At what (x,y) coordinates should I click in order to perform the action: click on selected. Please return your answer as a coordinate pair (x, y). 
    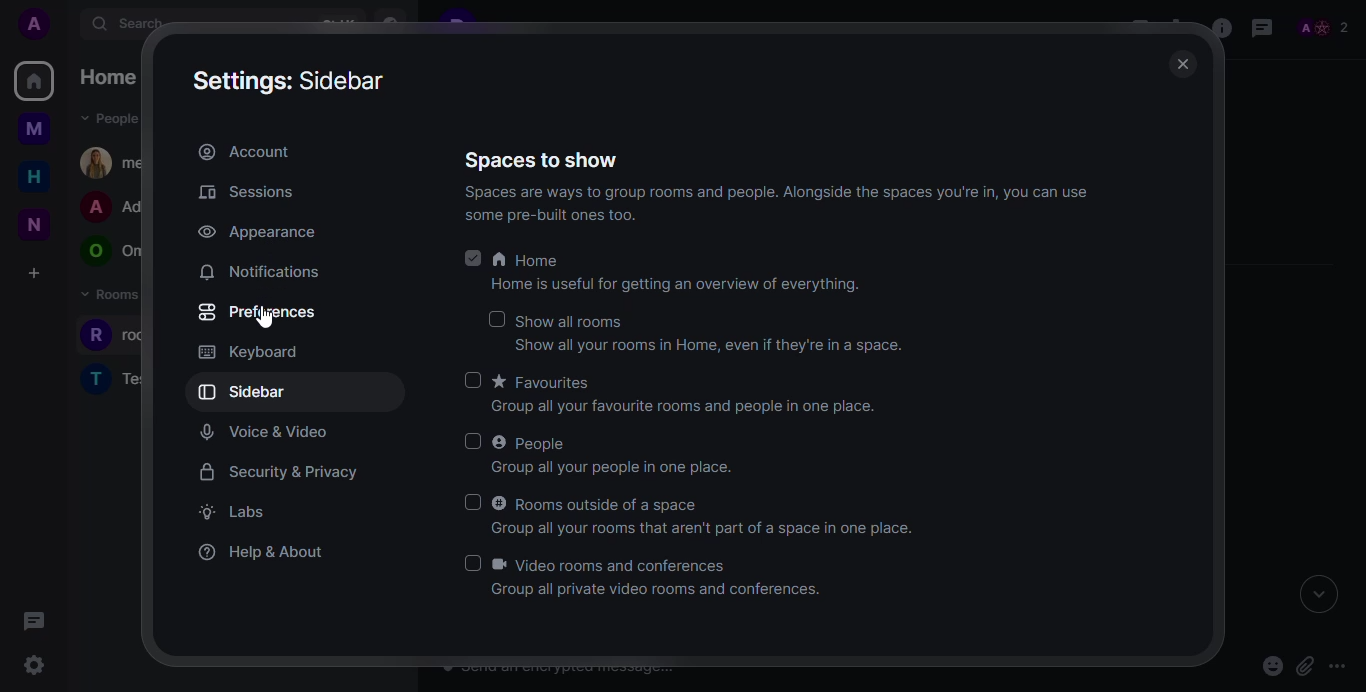
    Looking at the image, I should click on (470, 258).